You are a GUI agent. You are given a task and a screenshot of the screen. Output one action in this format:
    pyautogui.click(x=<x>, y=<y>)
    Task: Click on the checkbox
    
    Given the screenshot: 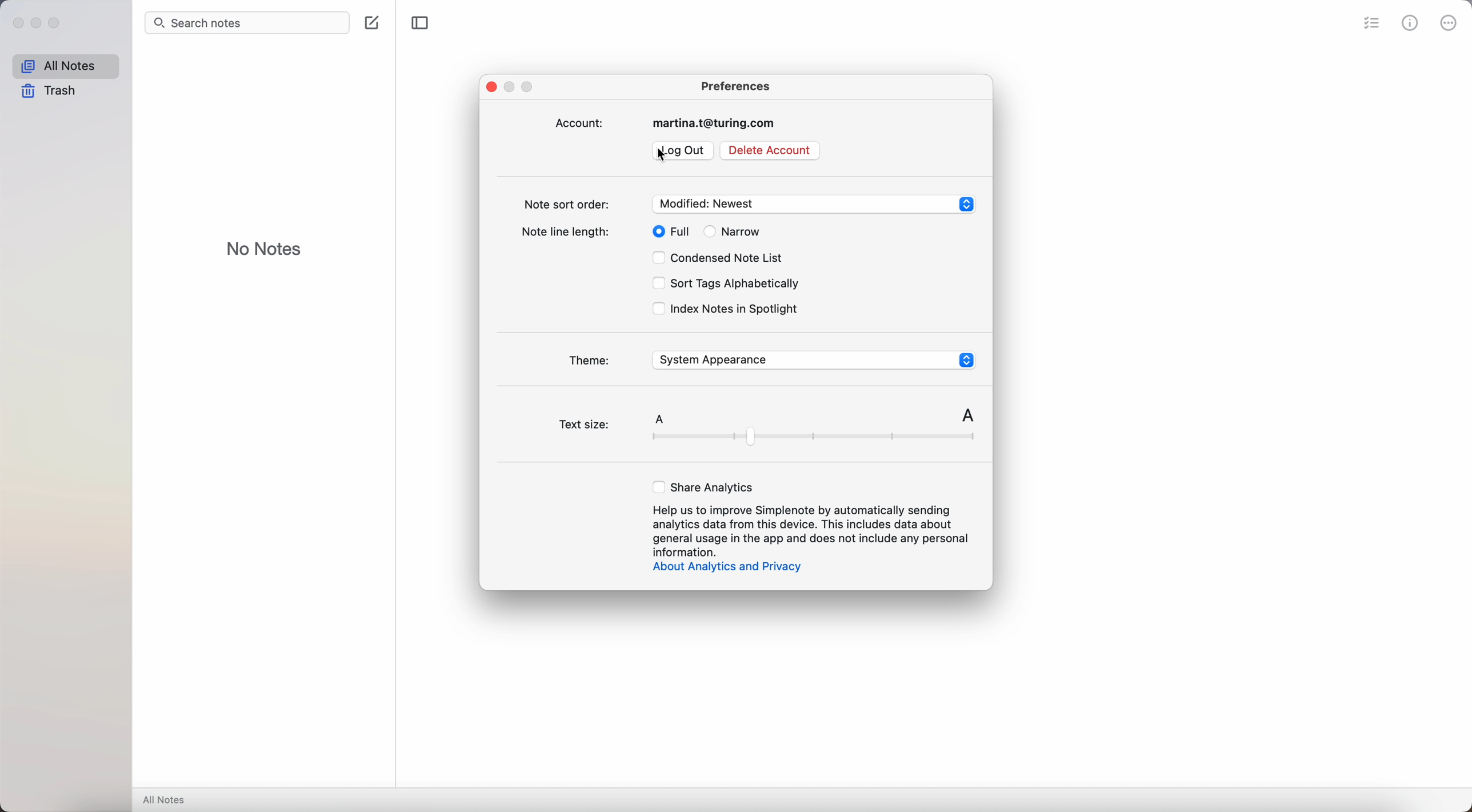 What is the action you would take?
    pyautogui.click(x=653, y=310)
    